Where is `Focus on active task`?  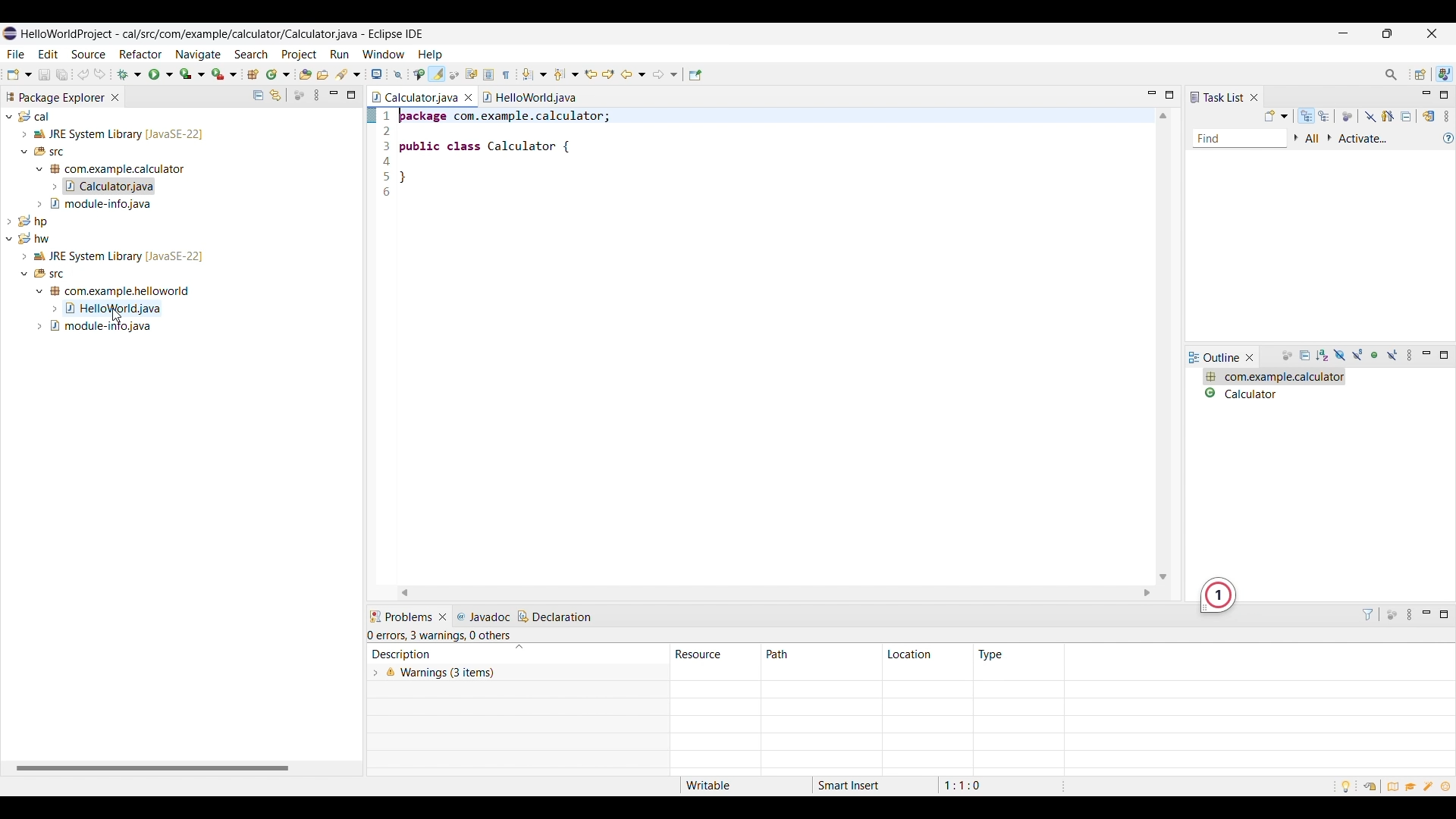
Focus on active task is located at coordinates (299, 95).